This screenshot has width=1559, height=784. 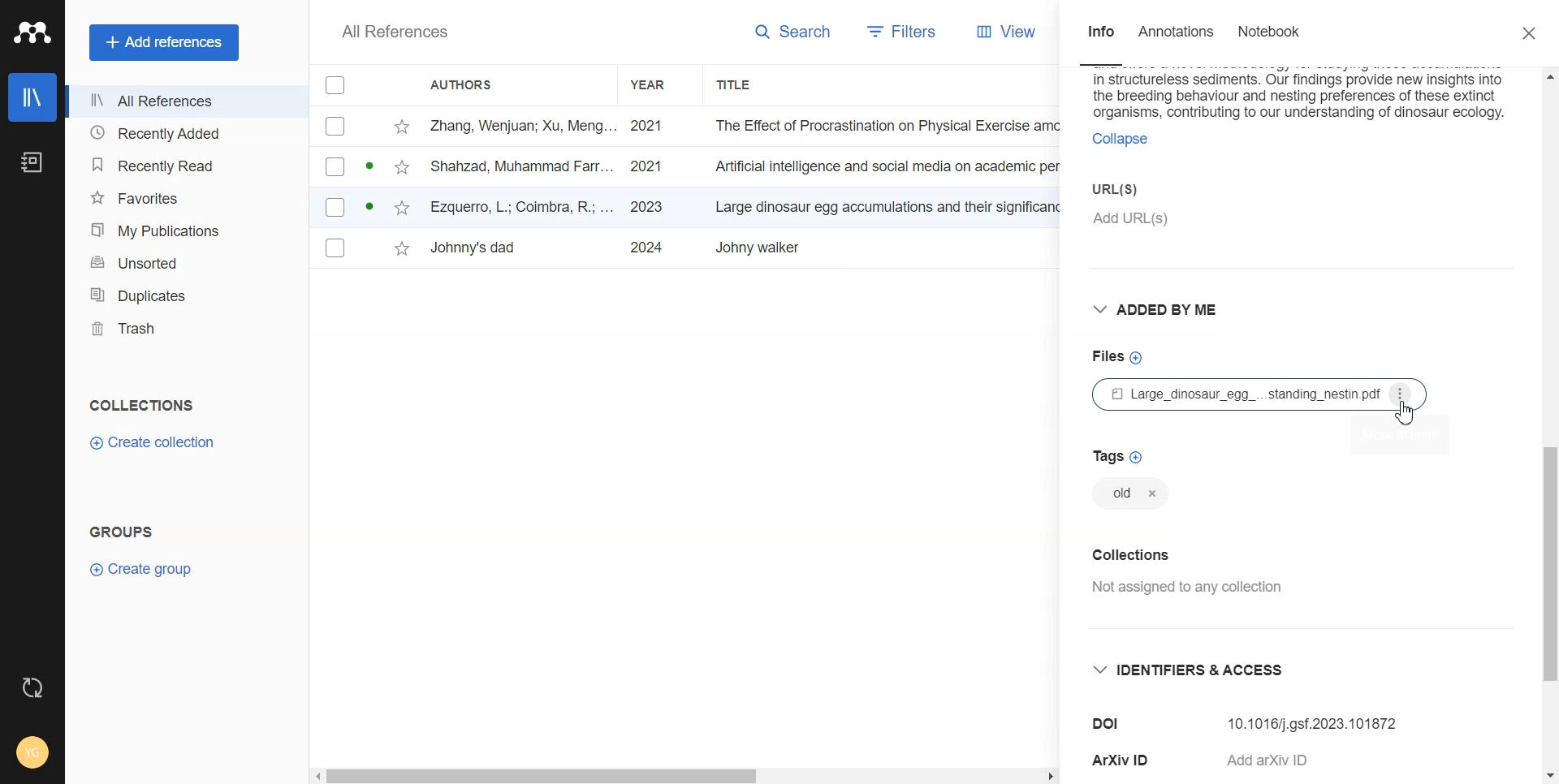 What do you see at coordinates (645, 207) in the screenshot?
I see `2023` at bounding box center [645, 207].